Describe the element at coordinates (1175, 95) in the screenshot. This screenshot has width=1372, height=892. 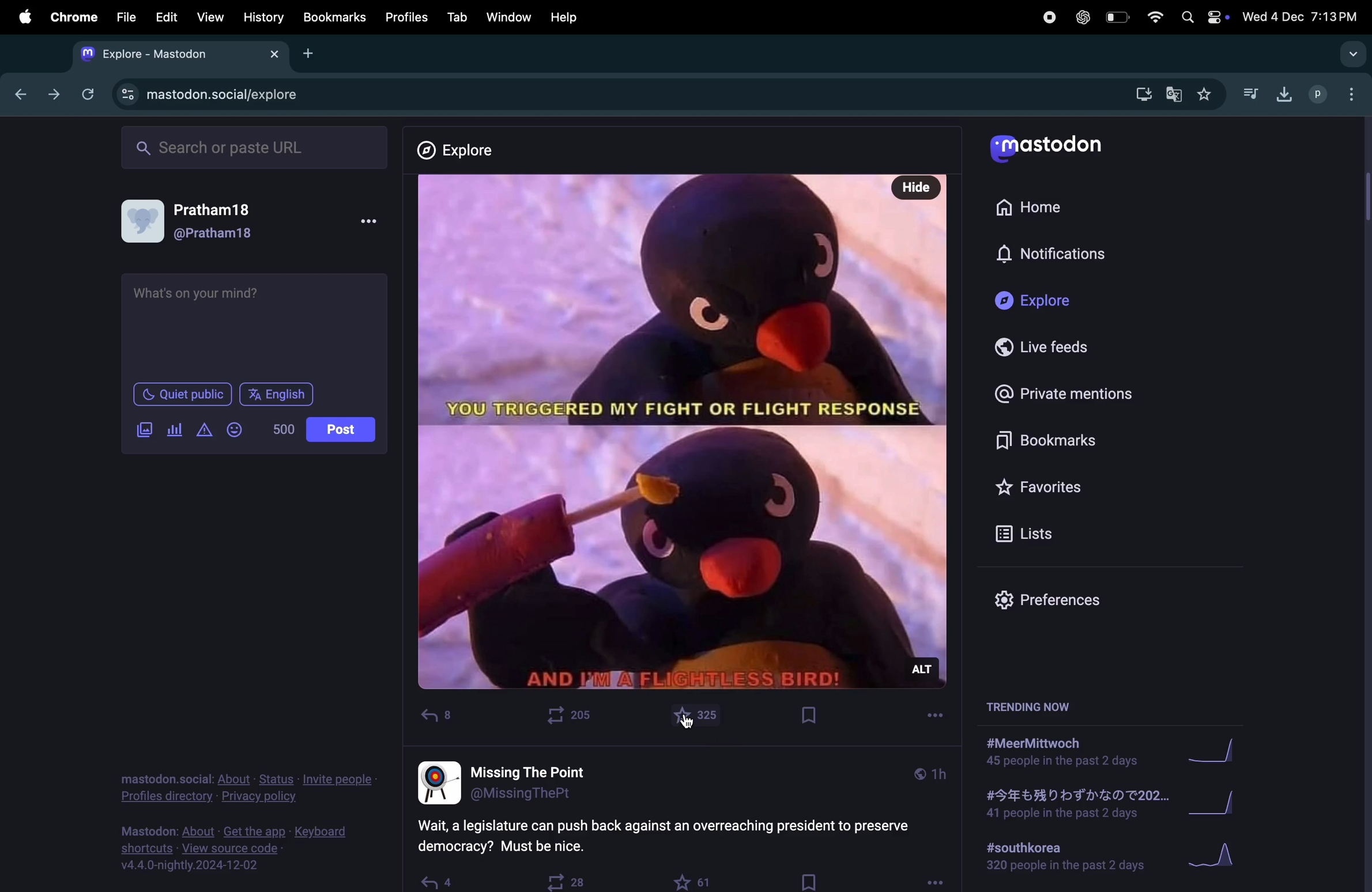
I see `translate` at that location.